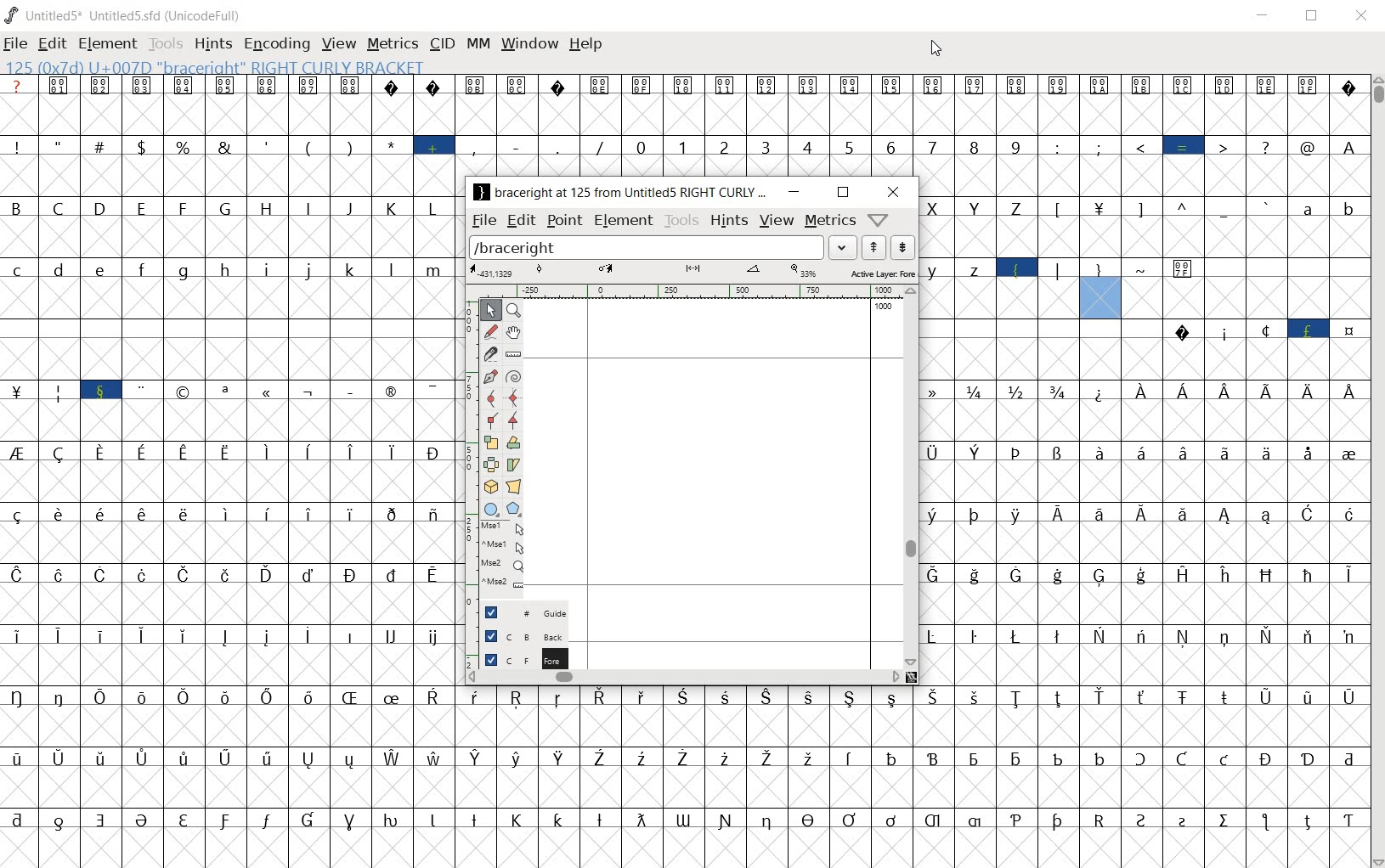 This screenshot has height=868, width=1385. What do you see at coordinates (107, 44) in the screenshot?
I see `ELEMENT` at bounding box center [107, 44].